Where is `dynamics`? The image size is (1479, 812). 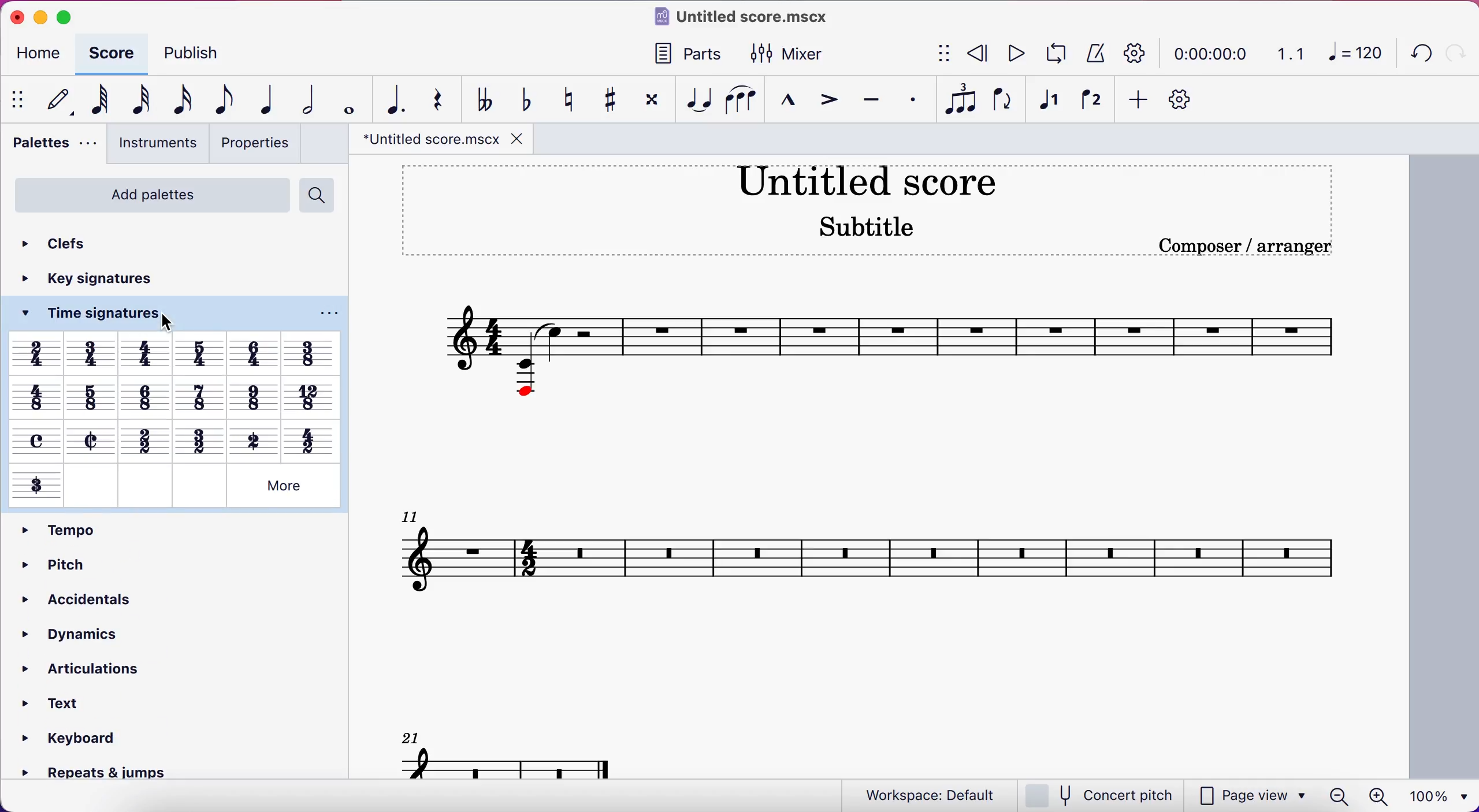
dynamics is located at coordinates (69, 636).